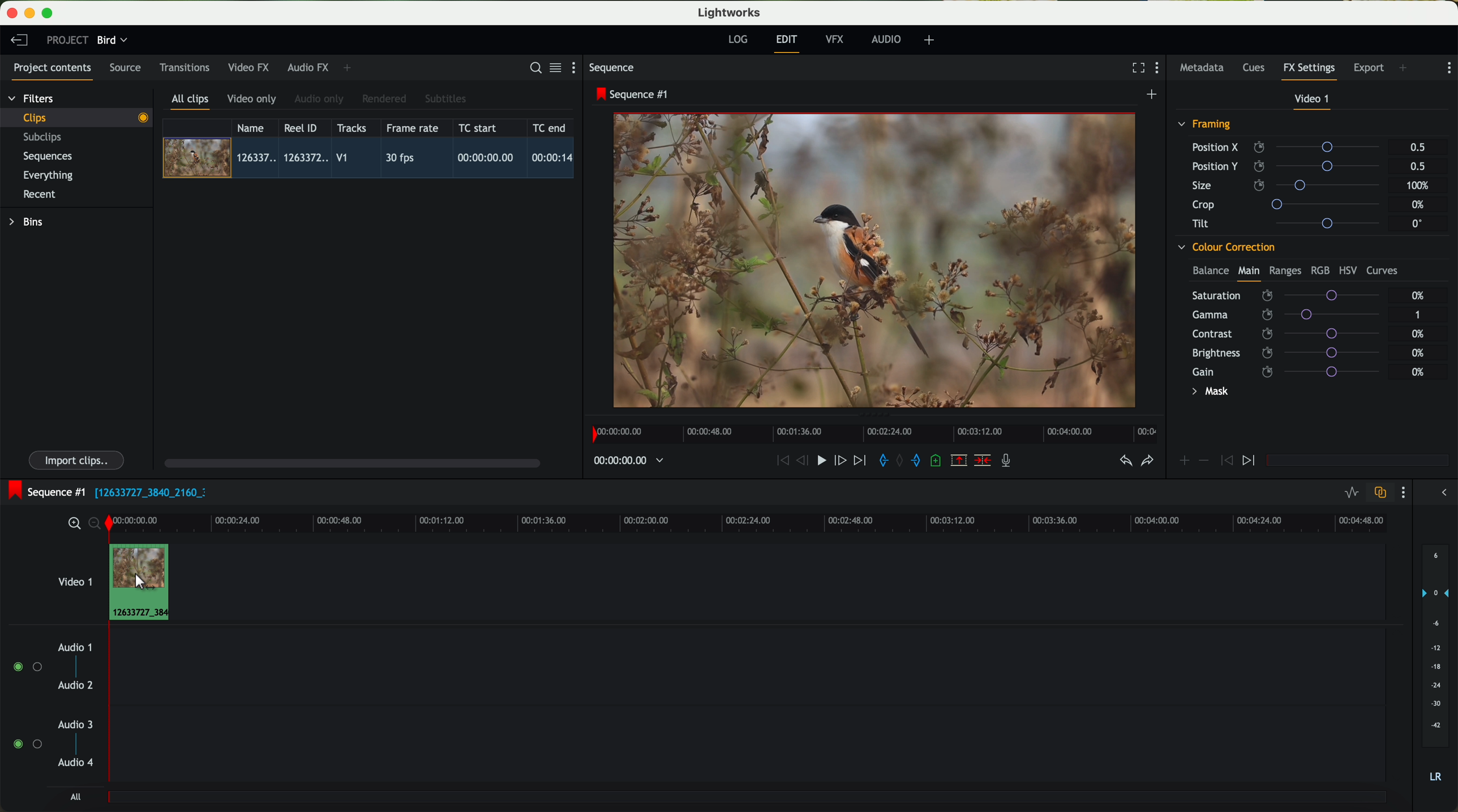 The image size is (1458, 812). Describe the element at coordinates (350, 128) in the screenshot. I see `tracks` at that location.